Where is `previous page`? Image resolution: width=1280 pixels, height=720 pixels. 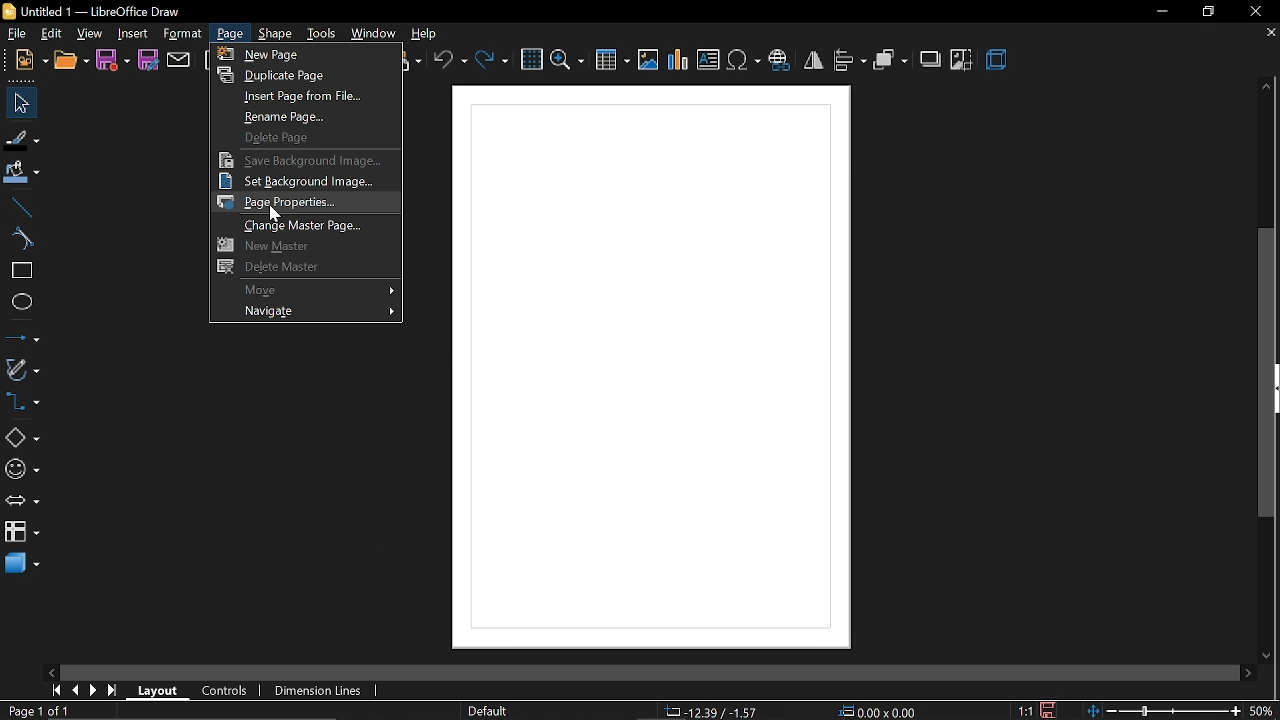 previous page is located at coordinates (77, 691).